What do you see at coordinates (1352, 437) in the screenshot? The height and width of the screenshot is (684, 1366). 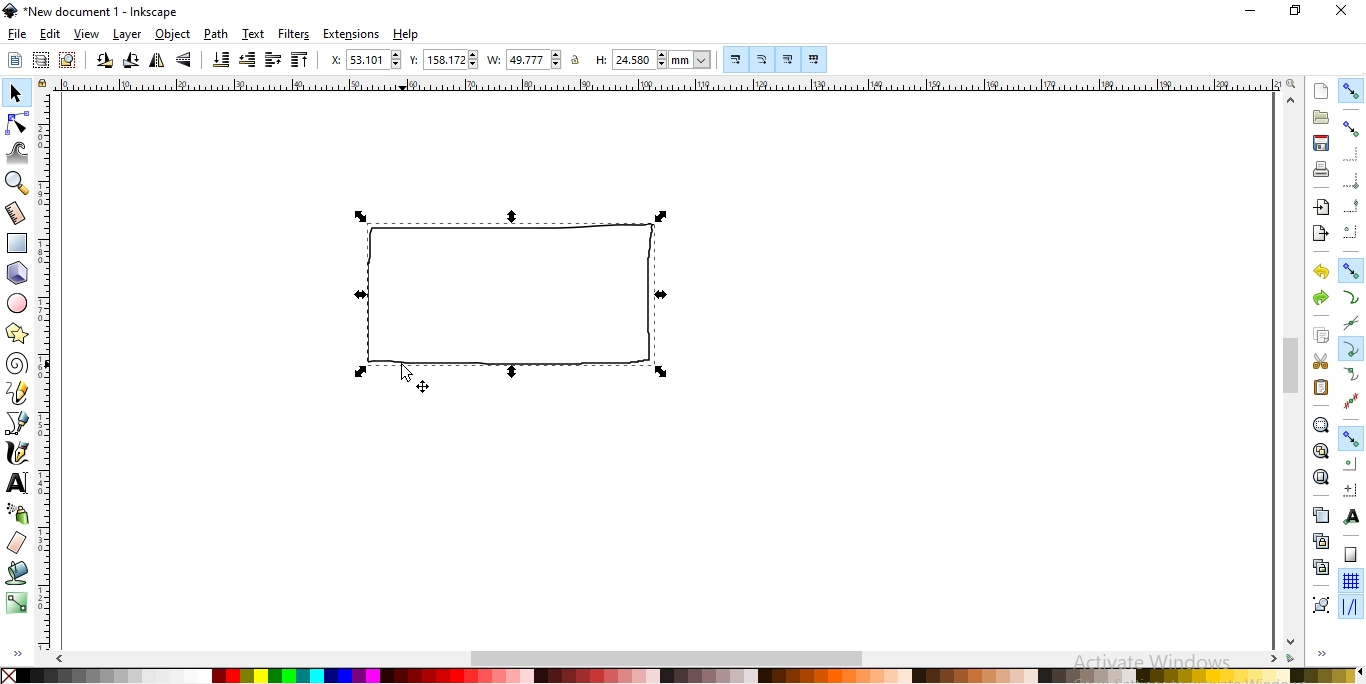 I see `` at bounding box center [1352, 437].